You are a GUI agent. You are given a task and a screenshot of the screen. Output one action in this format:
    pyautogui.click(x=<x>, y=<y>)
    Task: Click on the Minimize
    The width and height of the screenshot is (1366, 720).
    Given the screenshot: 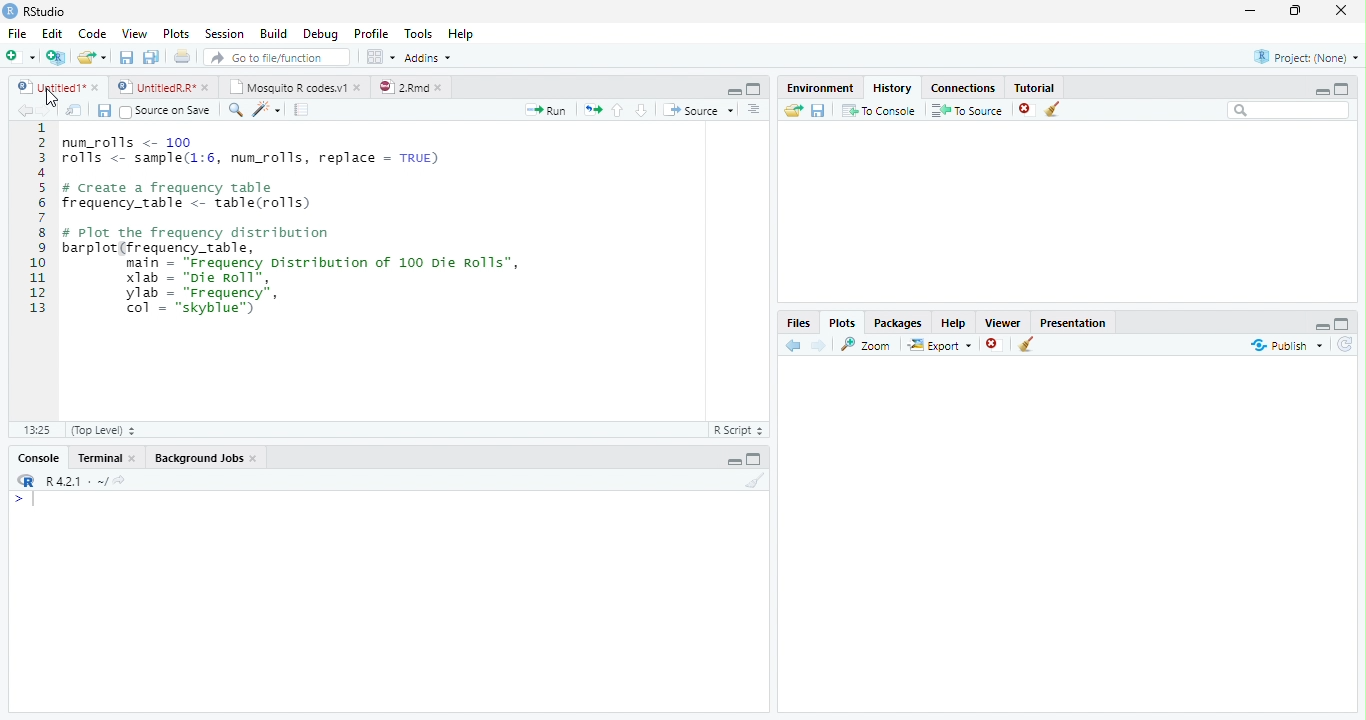 What is the action you would take?
    pyautogui.click(x=1251, y=11)
    